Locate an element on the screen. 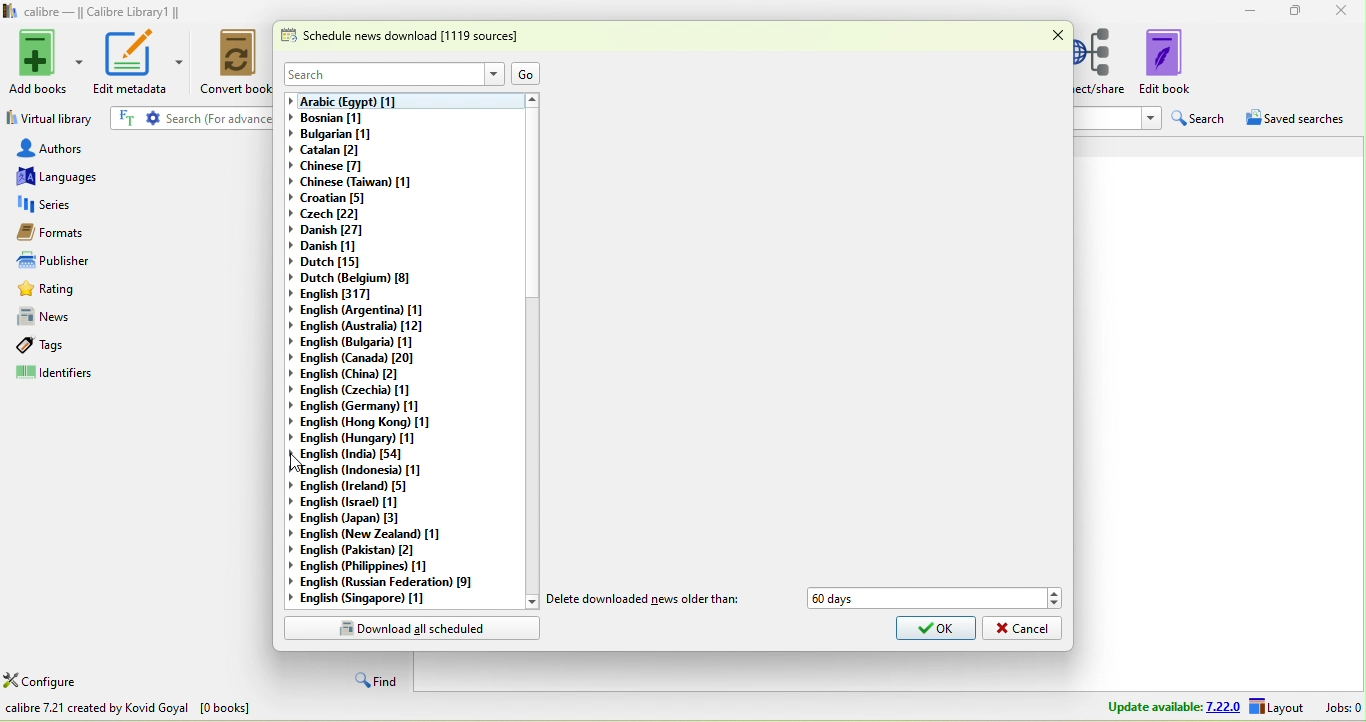 This screenshot has width=1366, height=722. english[317] is located at coordinates (353, 294).